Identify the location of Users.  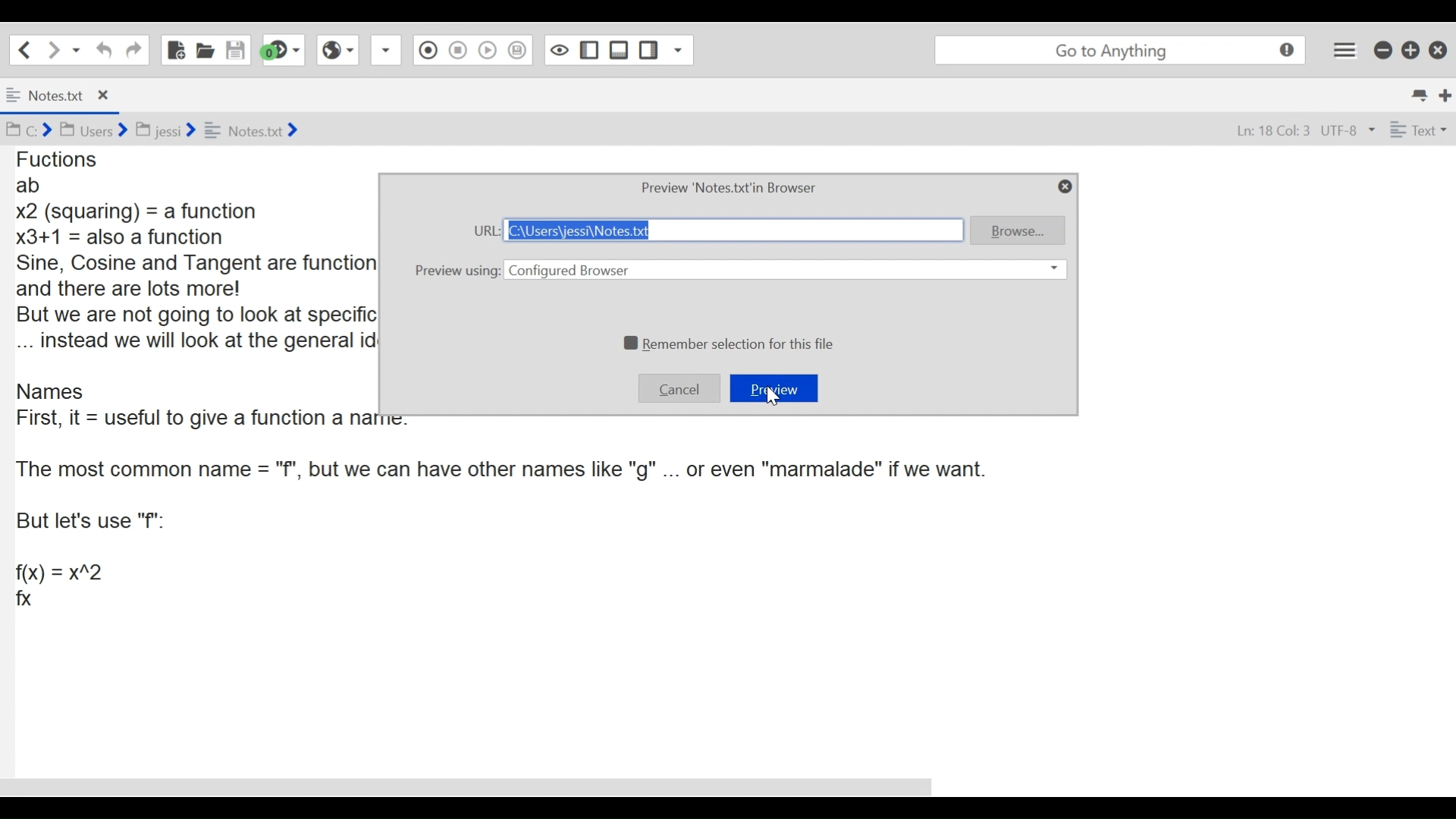
(96, 130).